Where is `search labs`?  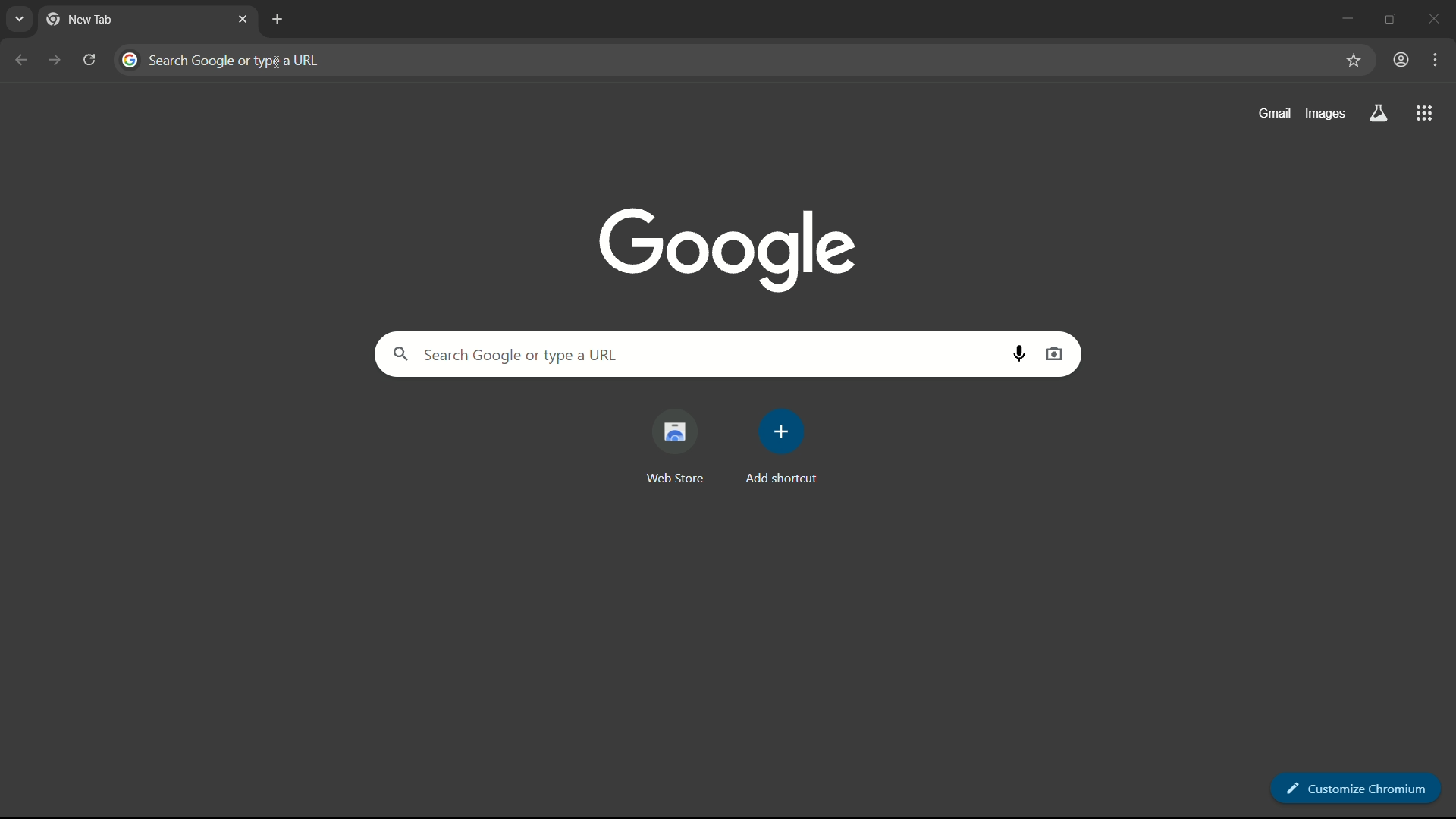 search labs is located at coordinates (1377, 115).